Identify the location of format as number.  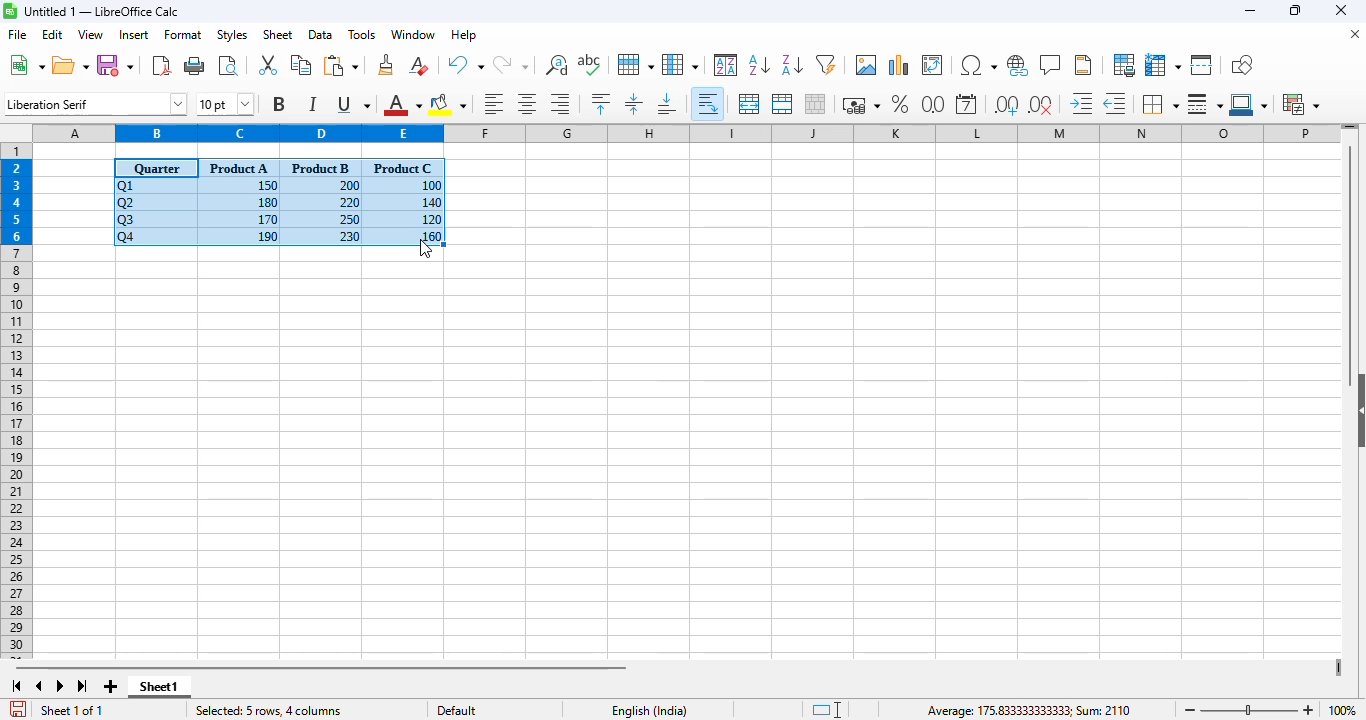
(933, 104).